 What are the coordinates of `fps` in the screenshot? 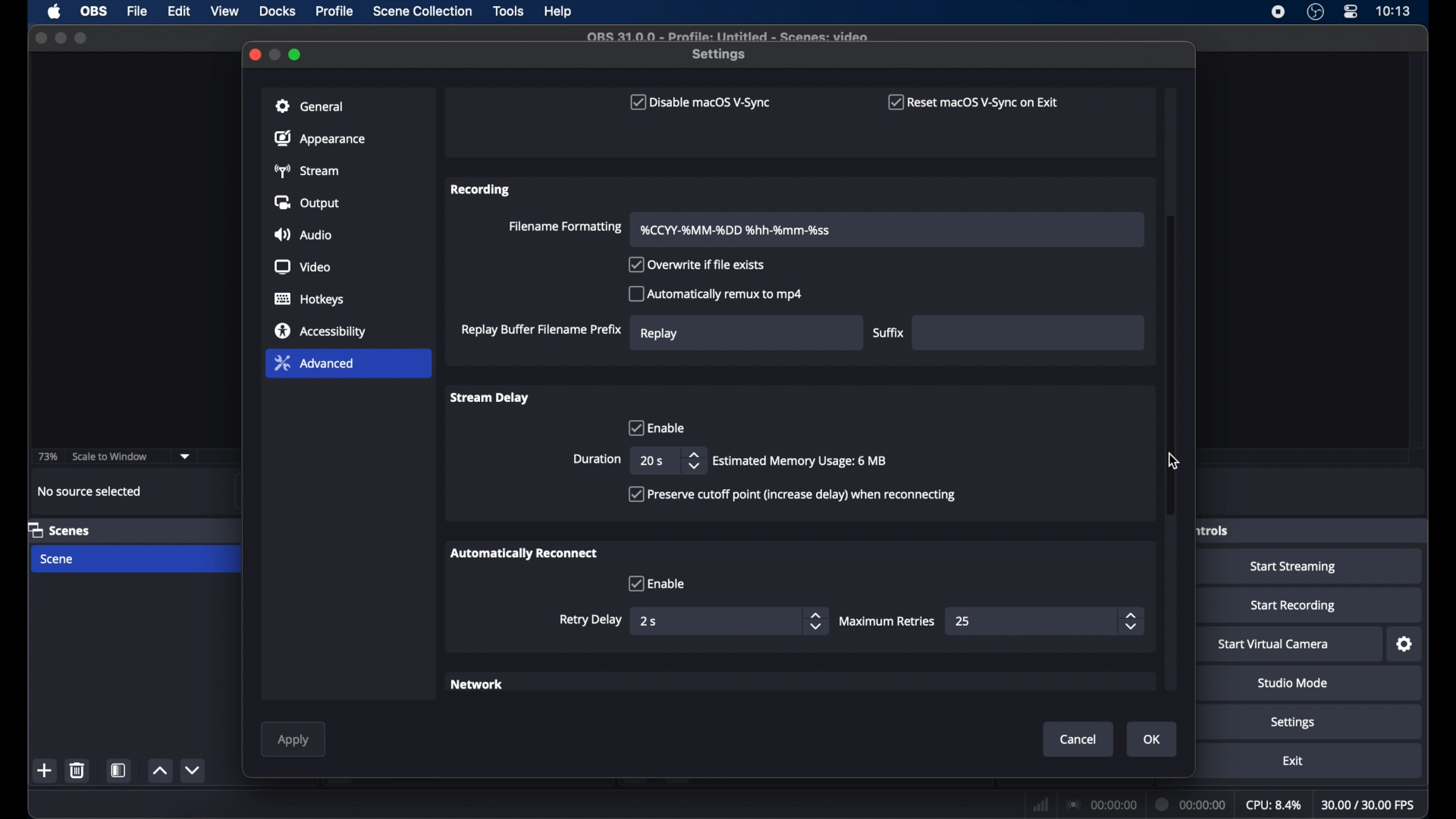 It's located at (1369, 805).